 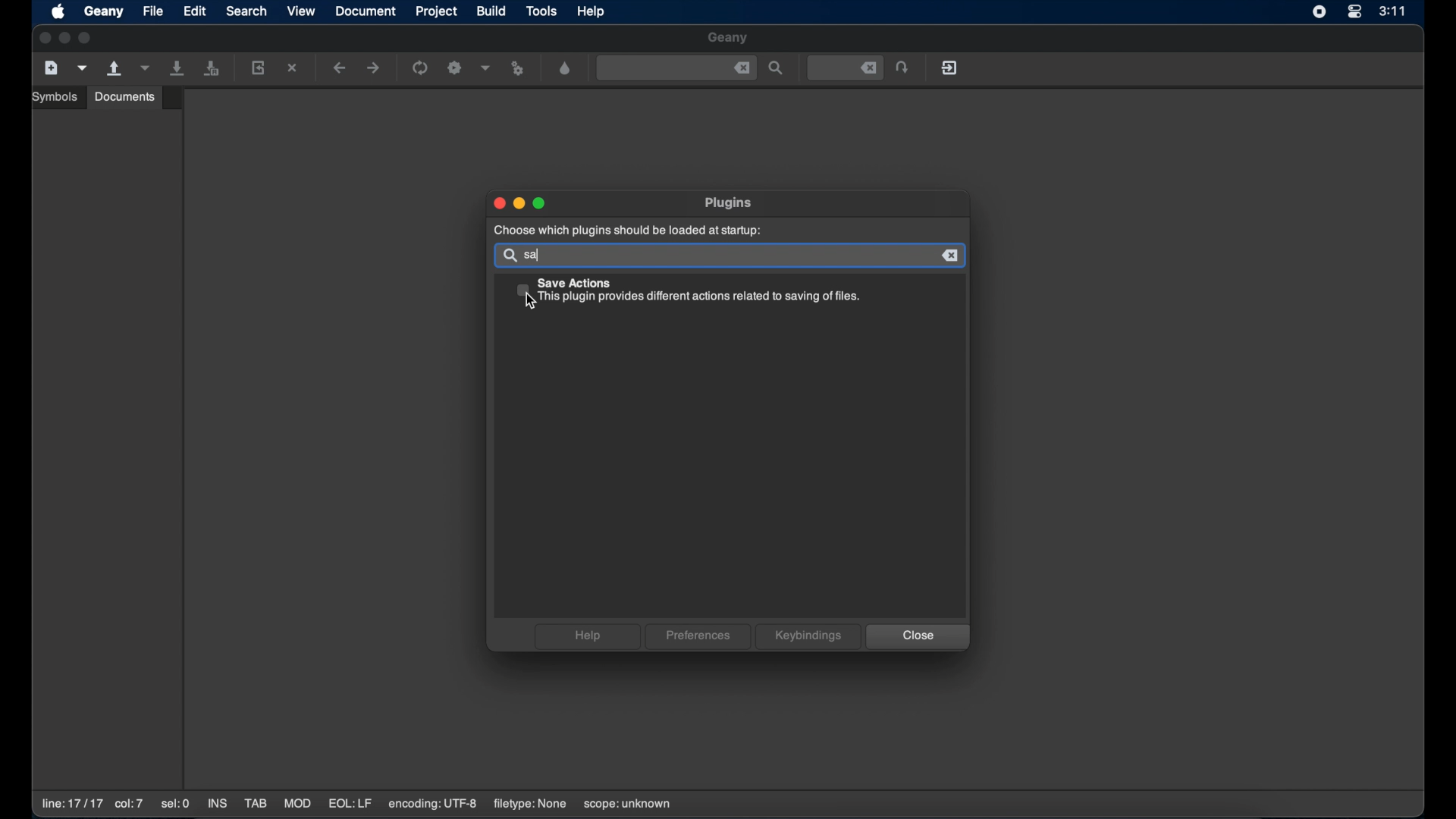 I want to click on edit, so click(x=195, y=11).